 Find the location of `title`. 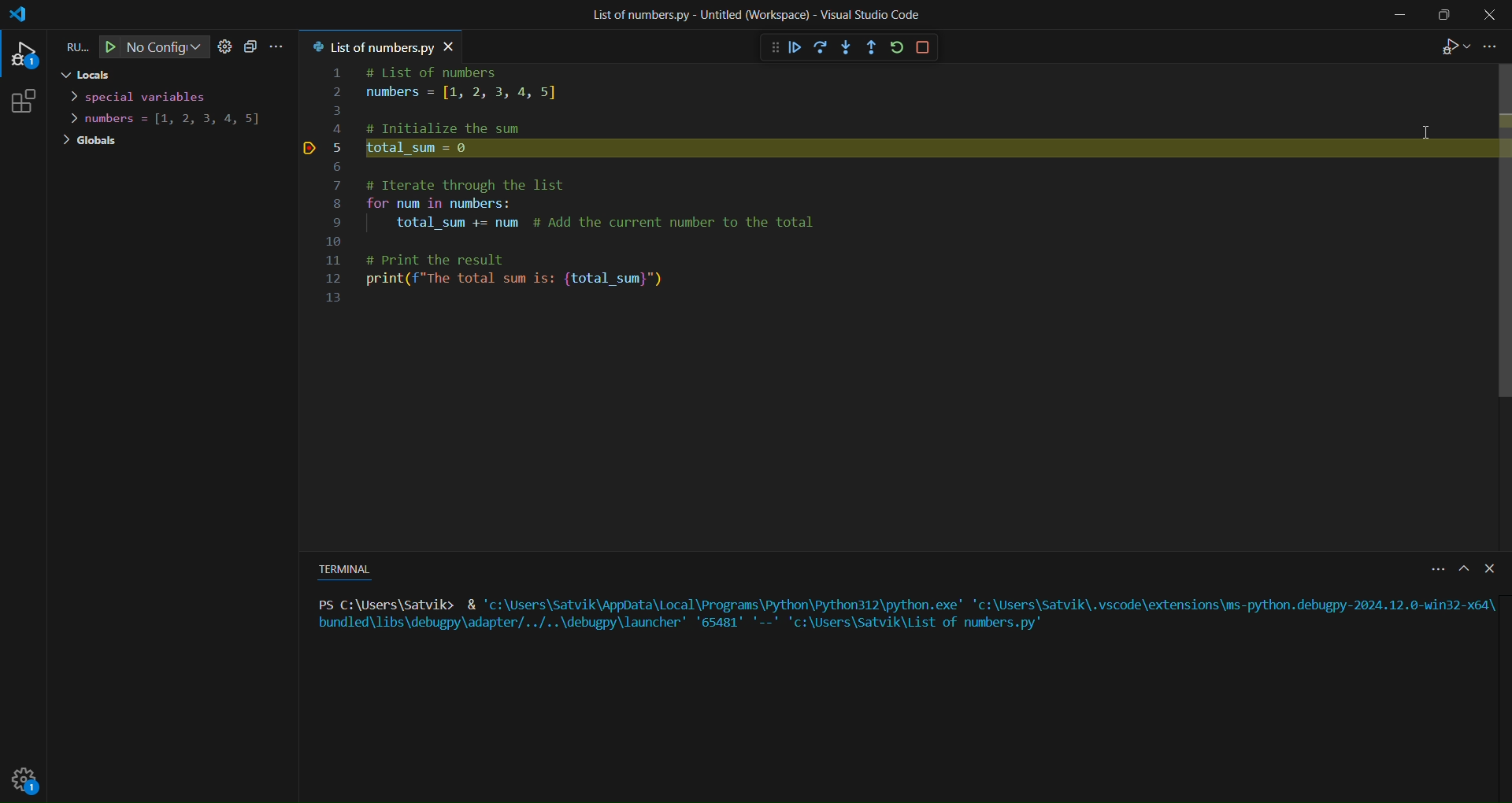

title is located at coordinates (752, 14).